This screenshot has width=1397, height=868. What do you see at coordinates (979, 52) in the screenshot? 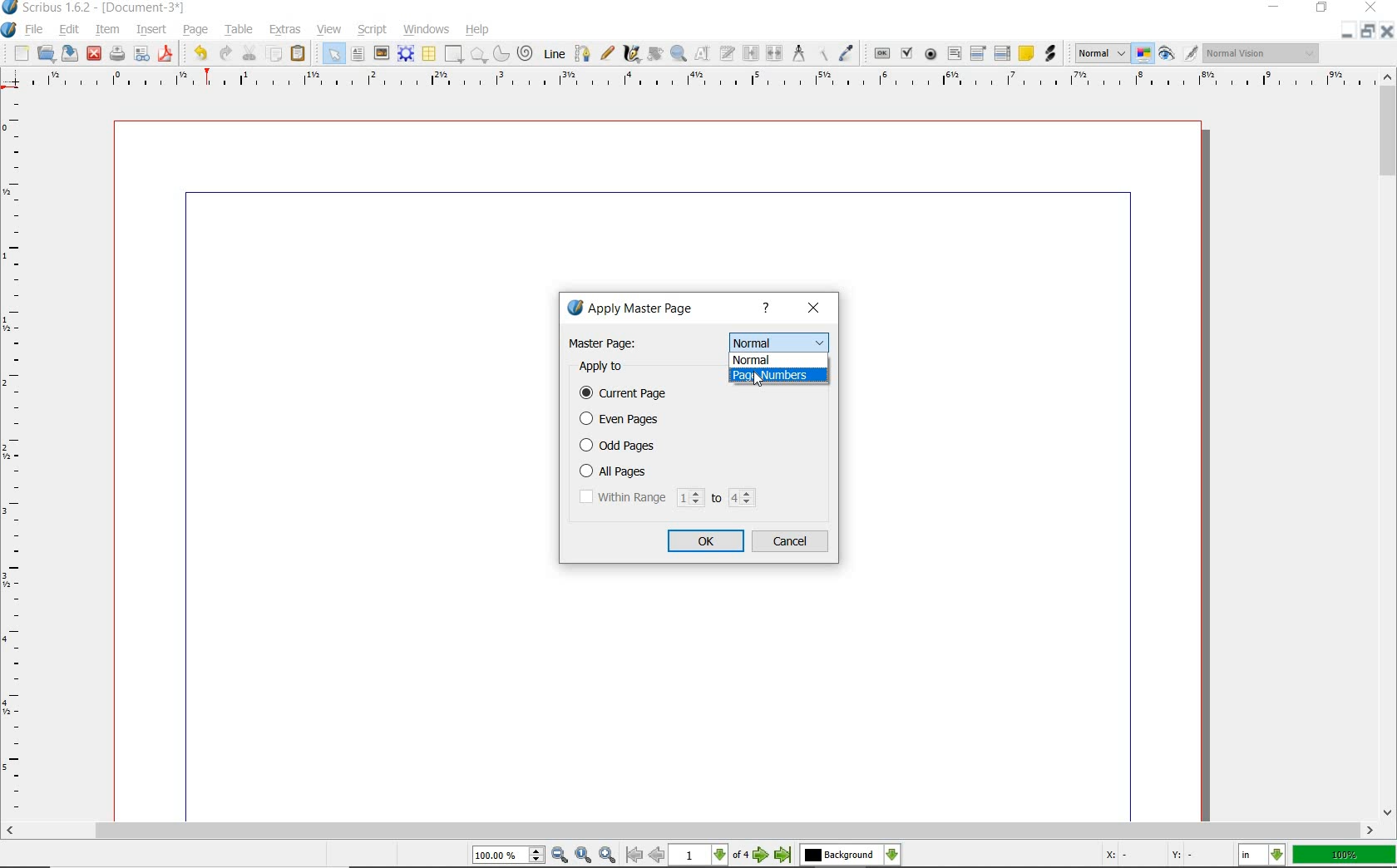
I see `pdf combo box` at bounding box center [979, 52].